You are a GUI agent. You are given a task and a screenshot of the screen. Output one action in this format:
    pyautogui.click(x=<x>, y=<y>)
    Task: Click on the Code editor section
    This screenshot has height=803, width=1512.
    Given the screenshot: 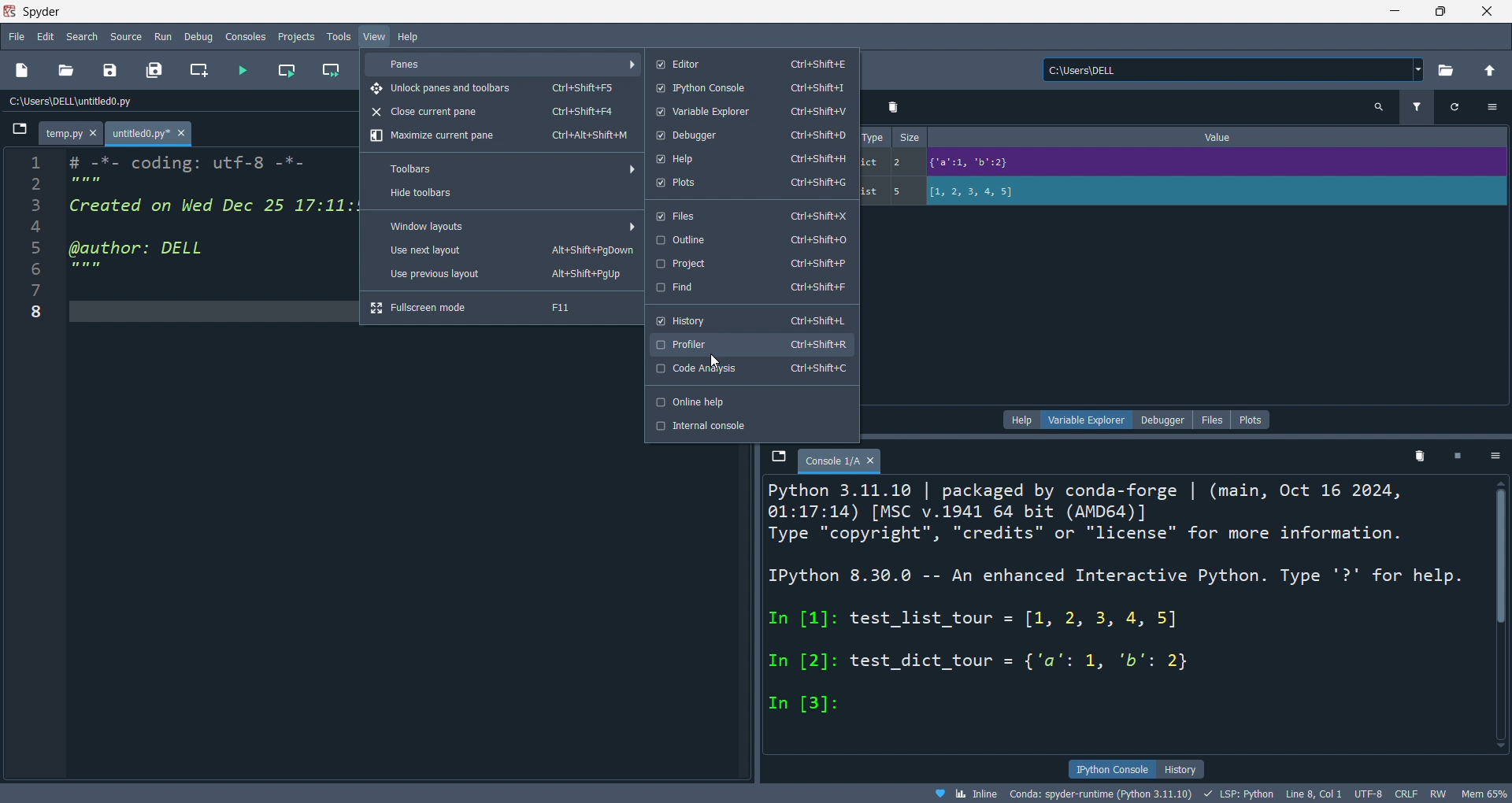 What is the action you would take?
    pyautogui.click(x=207, y=463)
    